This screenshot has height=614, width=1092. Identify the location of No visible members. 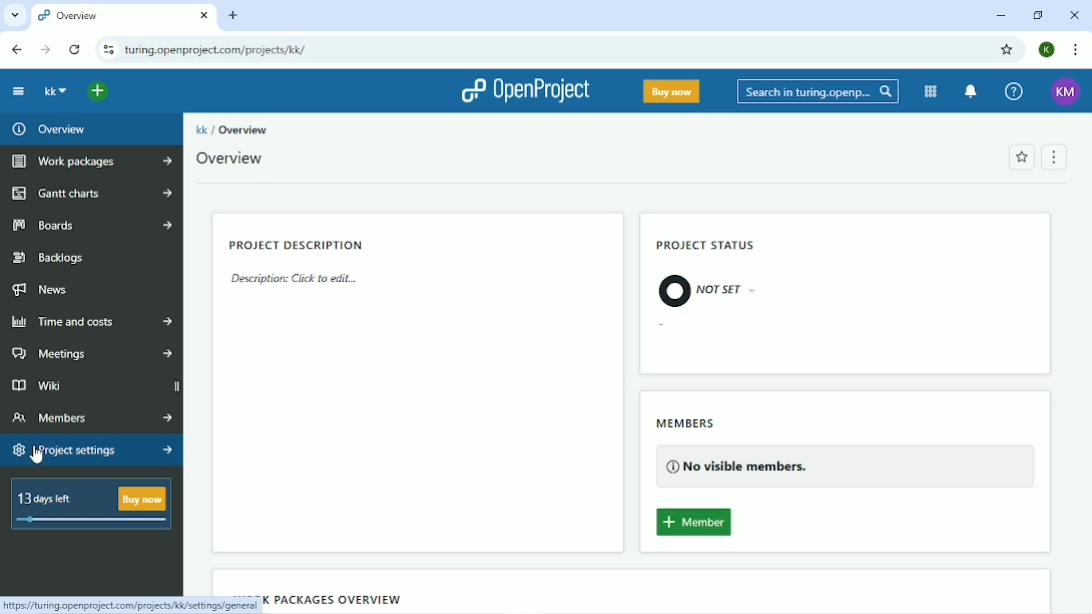
(742, 466).